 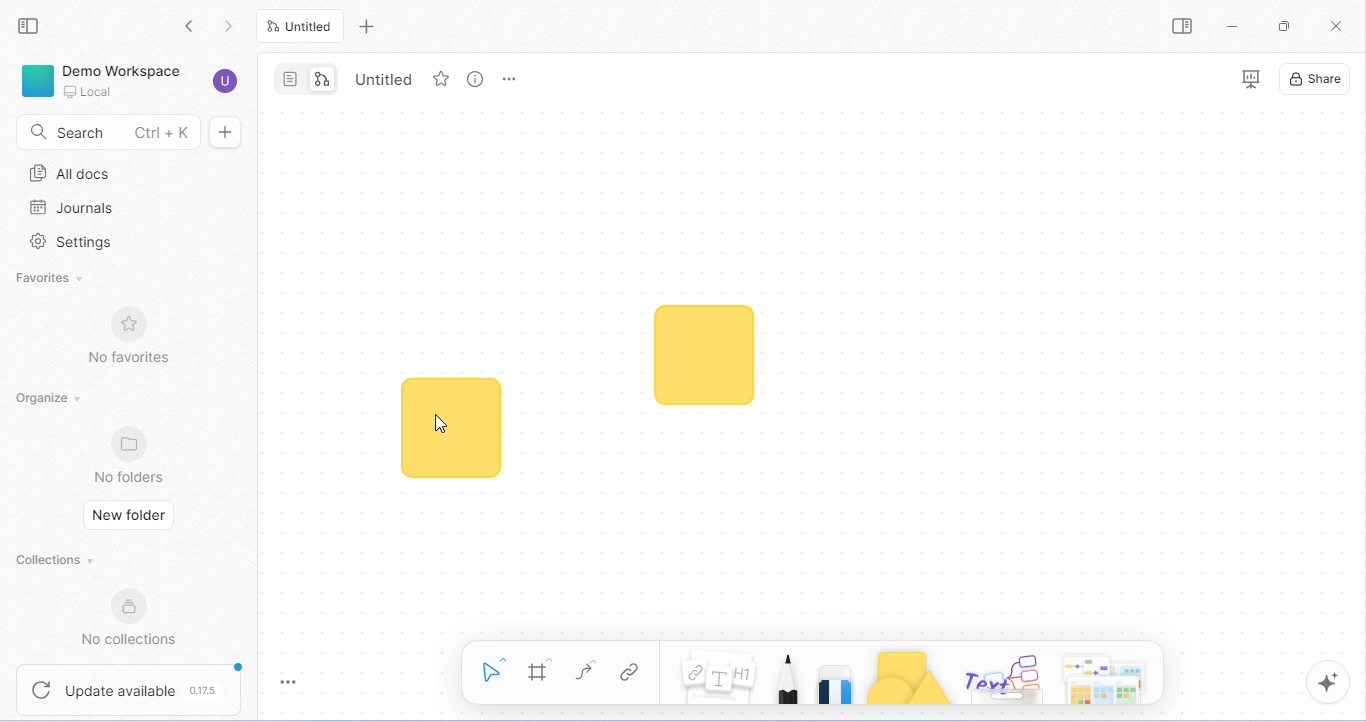 I want to click on shape, so click(x=703, y=355).